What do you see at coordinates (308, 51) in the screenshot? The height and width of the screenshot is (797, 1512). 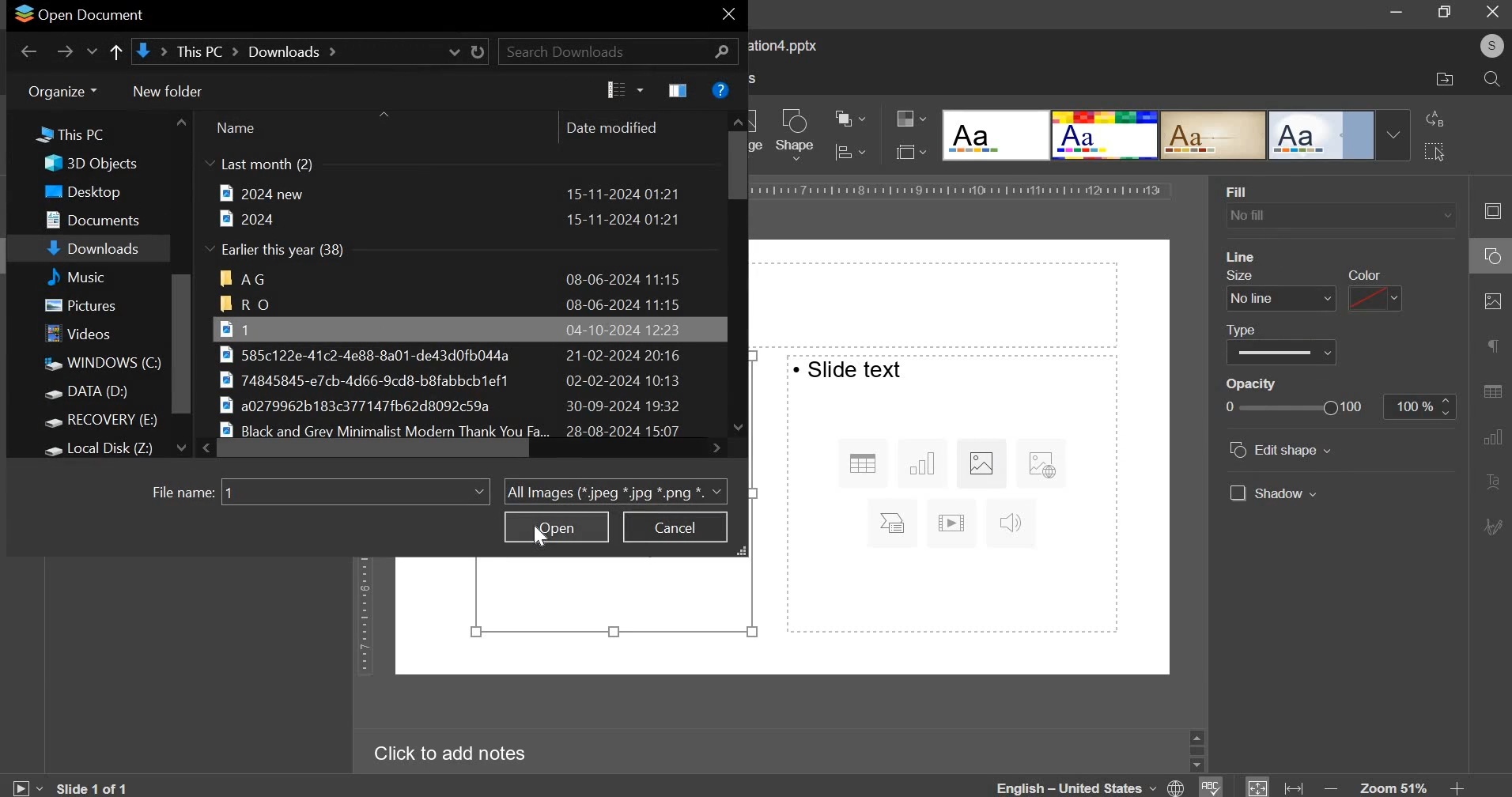 I see `file location` at bounding box center [308, 51].